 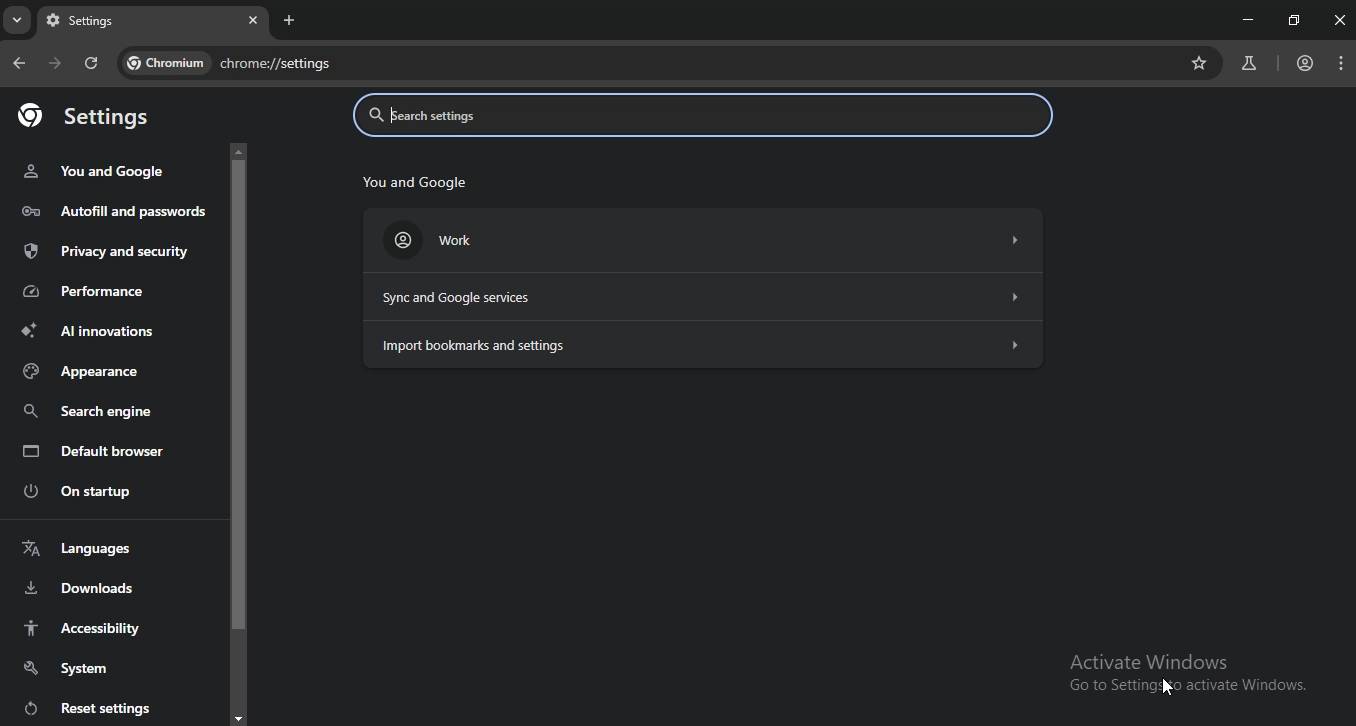 What do you see at coordinates (76, 548) in the screenshot?
I see `Languages` at bounding box center [76, 548].